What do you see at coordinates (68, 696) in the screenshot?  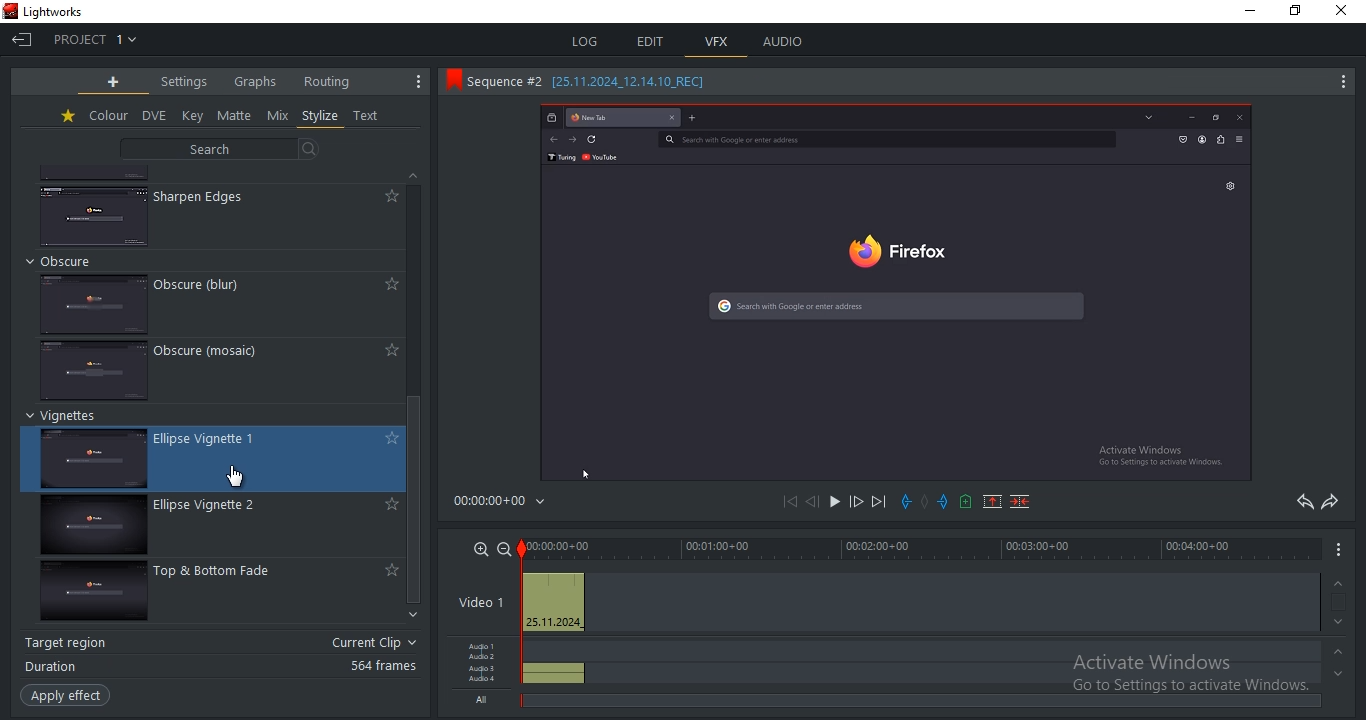 I see `apply effect` at bounding box center [68, 696].